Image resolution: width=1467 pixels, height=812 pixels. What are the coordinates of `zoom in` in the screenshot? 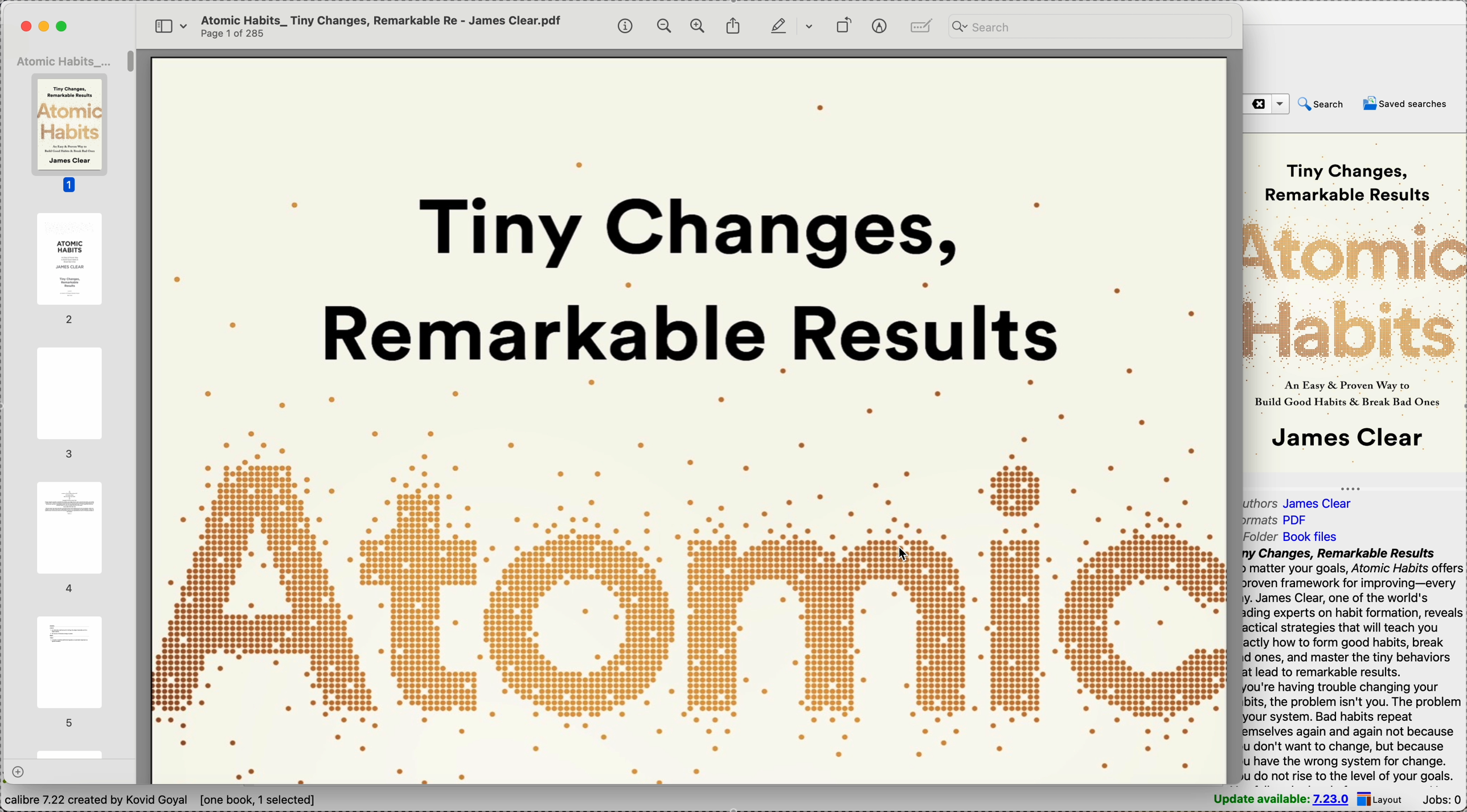 It's located at (699, 27).